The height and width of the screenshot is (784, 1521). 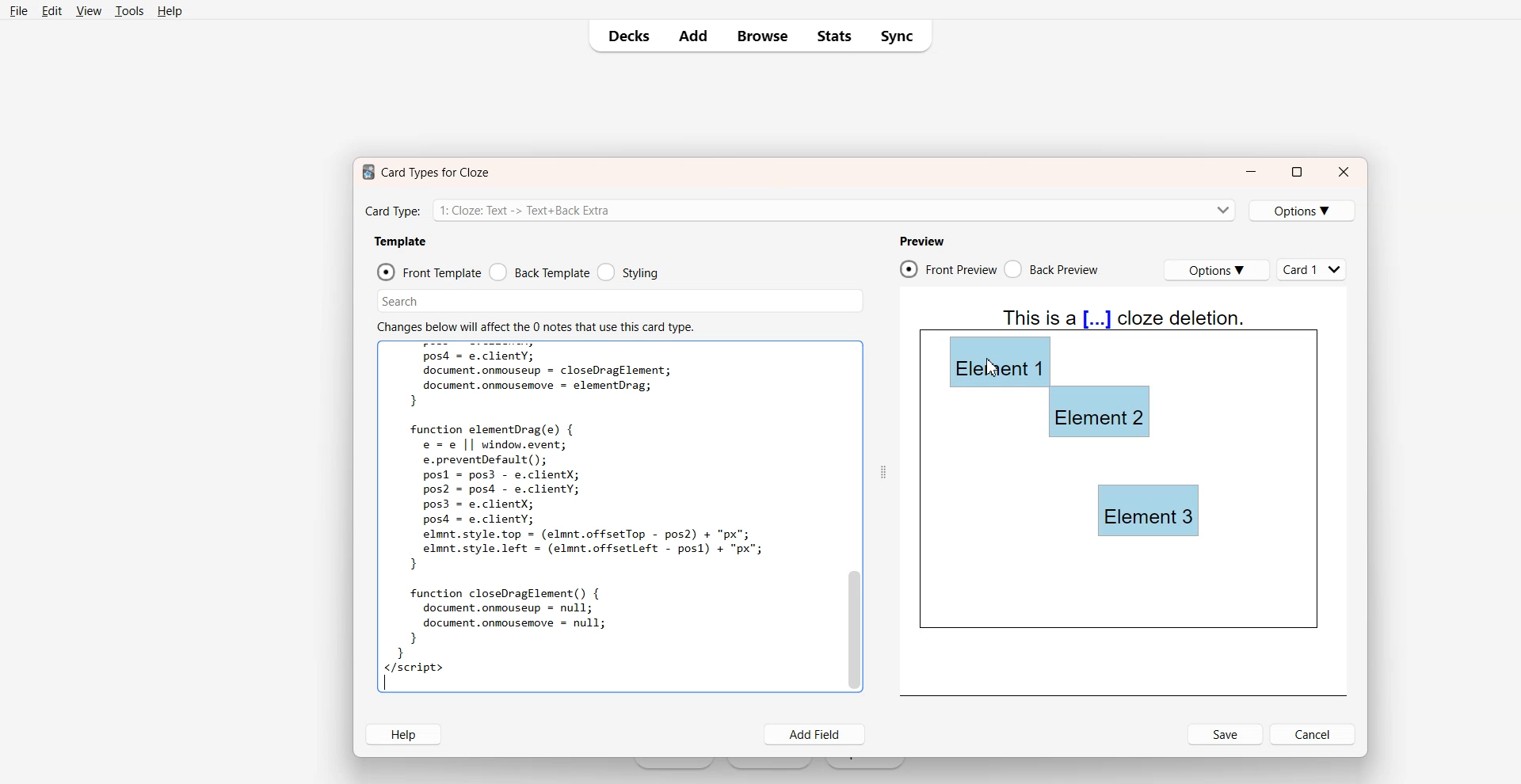 I want to click on Tools, so click(x=128, y=11).